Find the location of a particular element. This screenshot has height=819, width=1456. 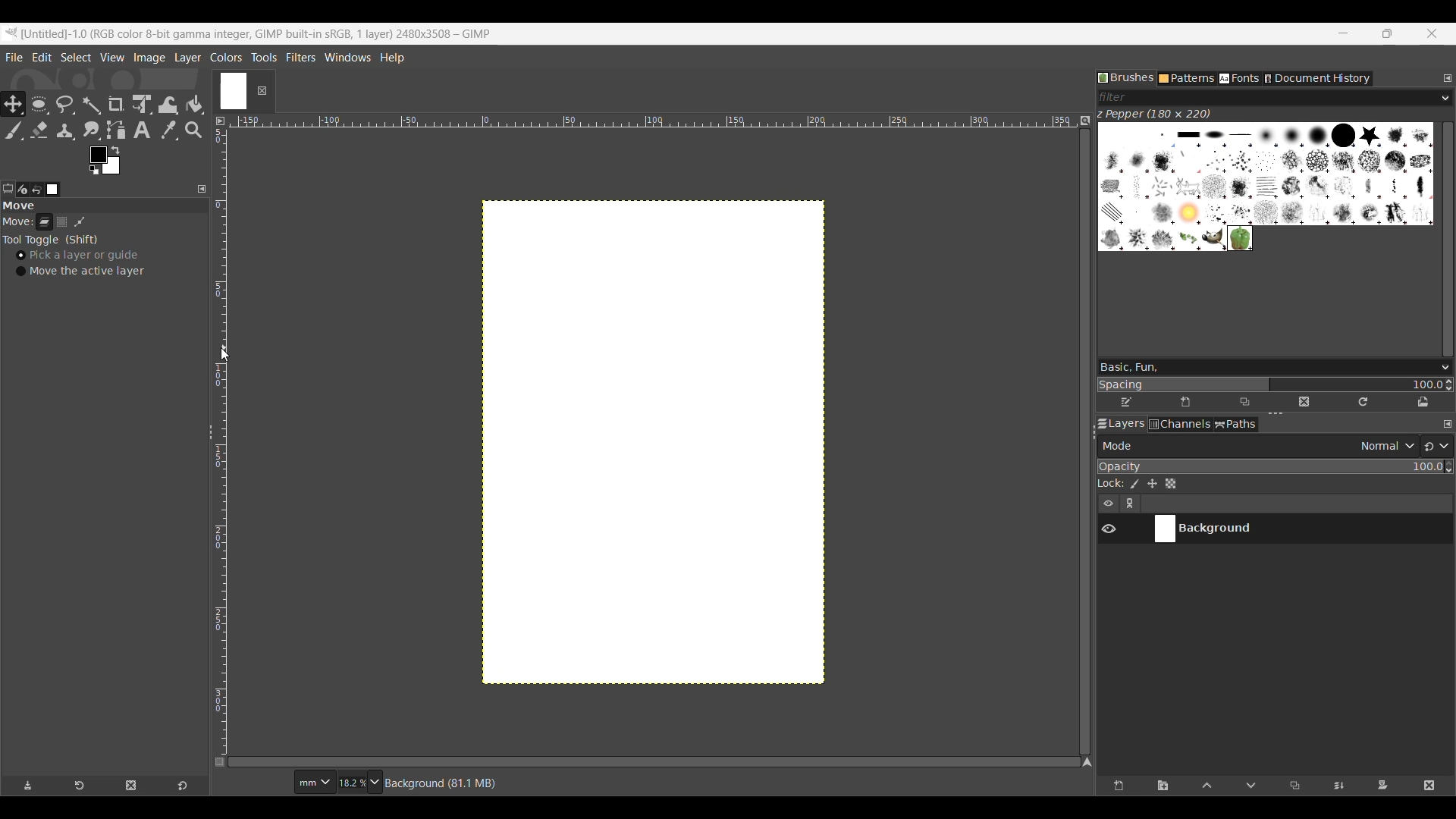

Layer menu is located at coordinates (187, 58).